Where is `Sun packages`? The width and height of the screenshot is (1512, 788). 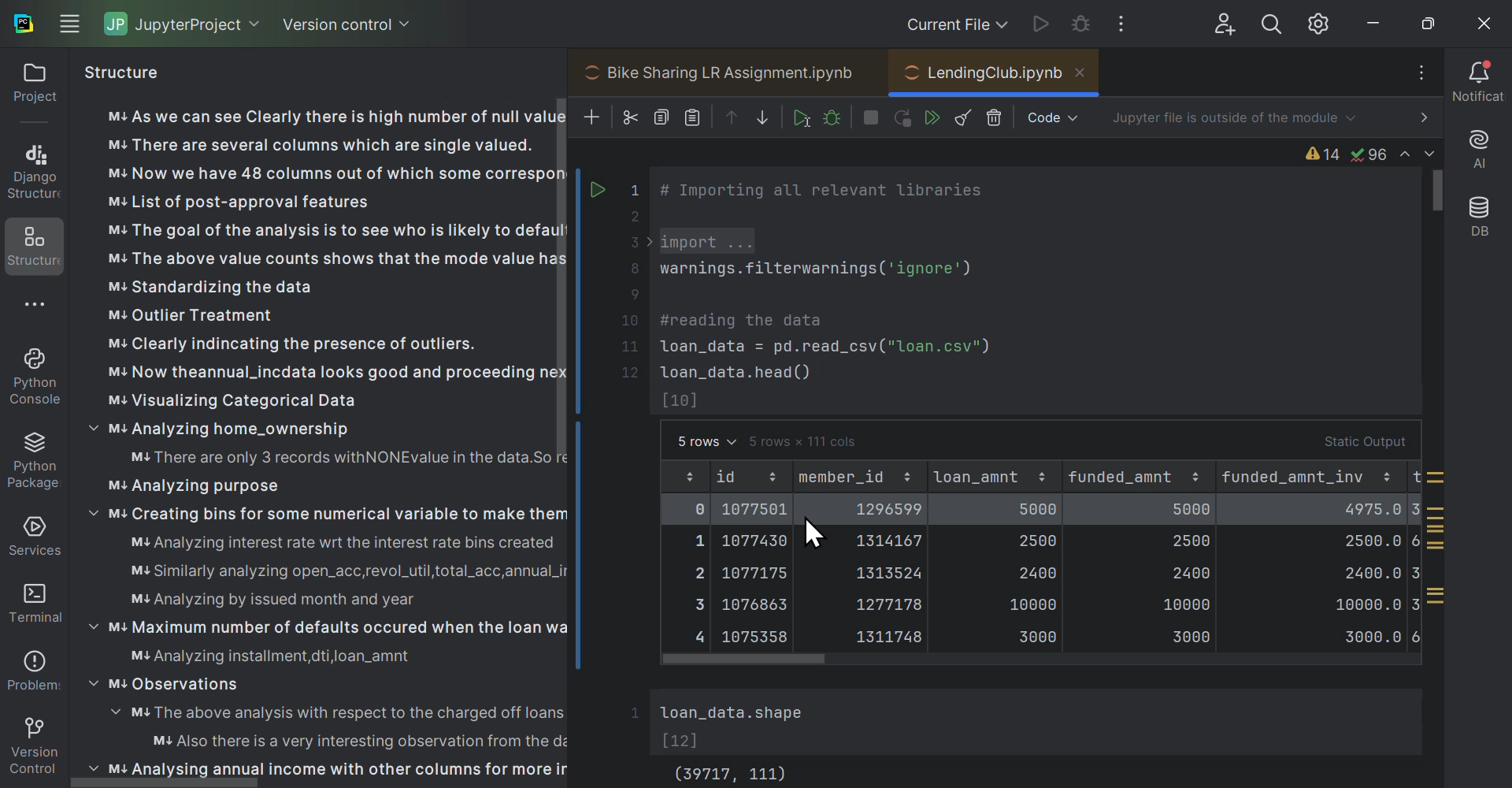
Sun packages is located at coordinates (32, 462).